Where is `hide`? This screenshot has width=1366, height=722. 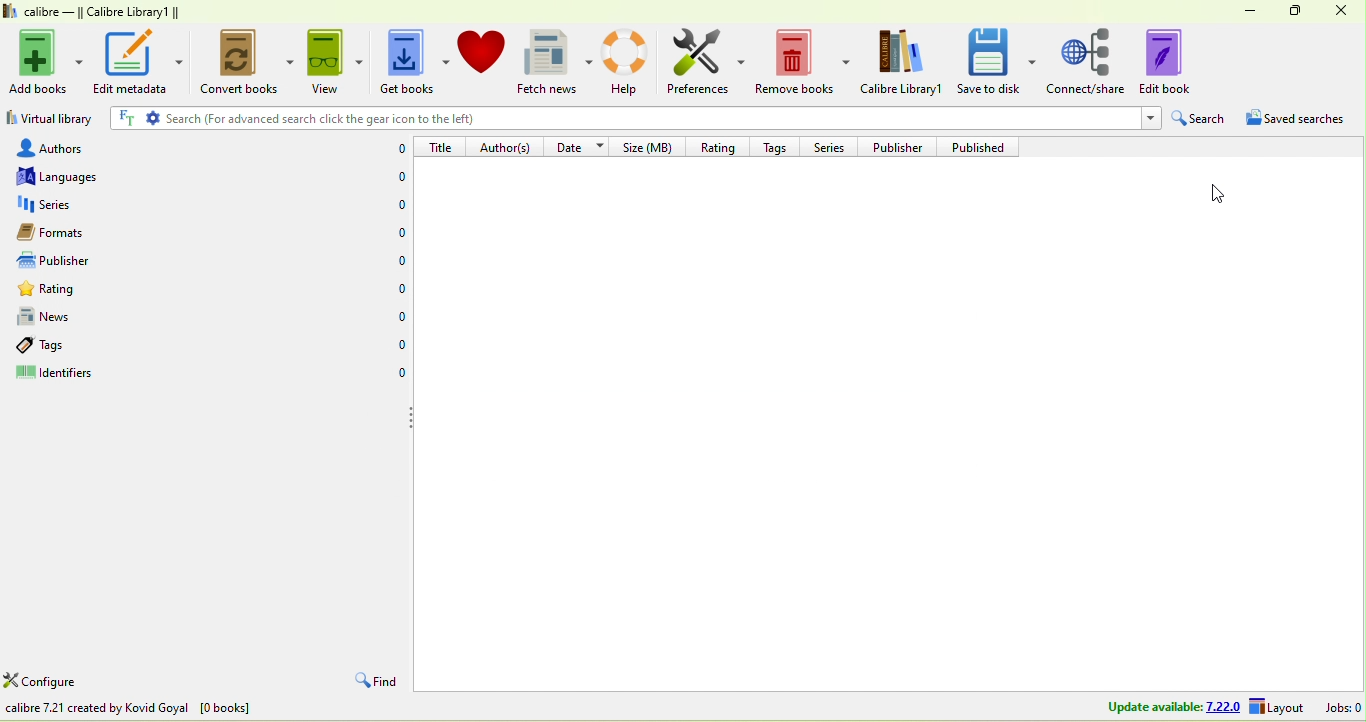 hide is located at coordinates (412, 417).